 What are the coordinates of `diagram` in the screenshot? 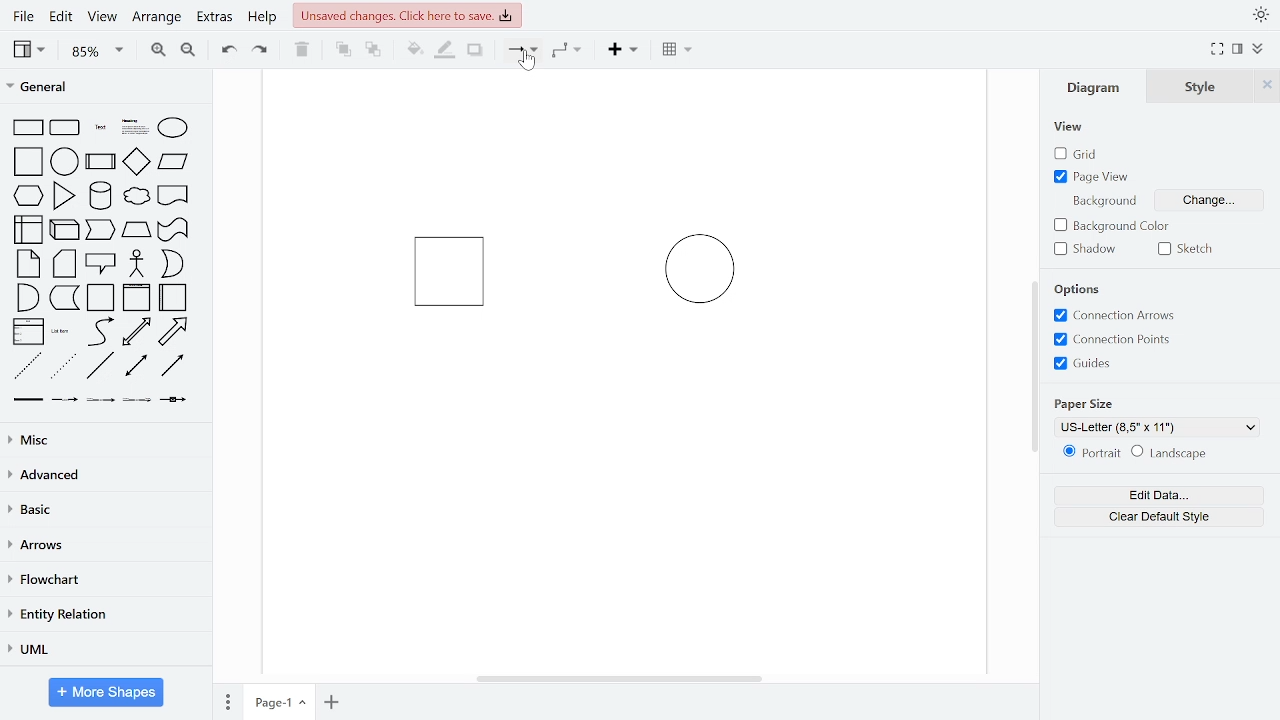 It's located at (1098, 86).